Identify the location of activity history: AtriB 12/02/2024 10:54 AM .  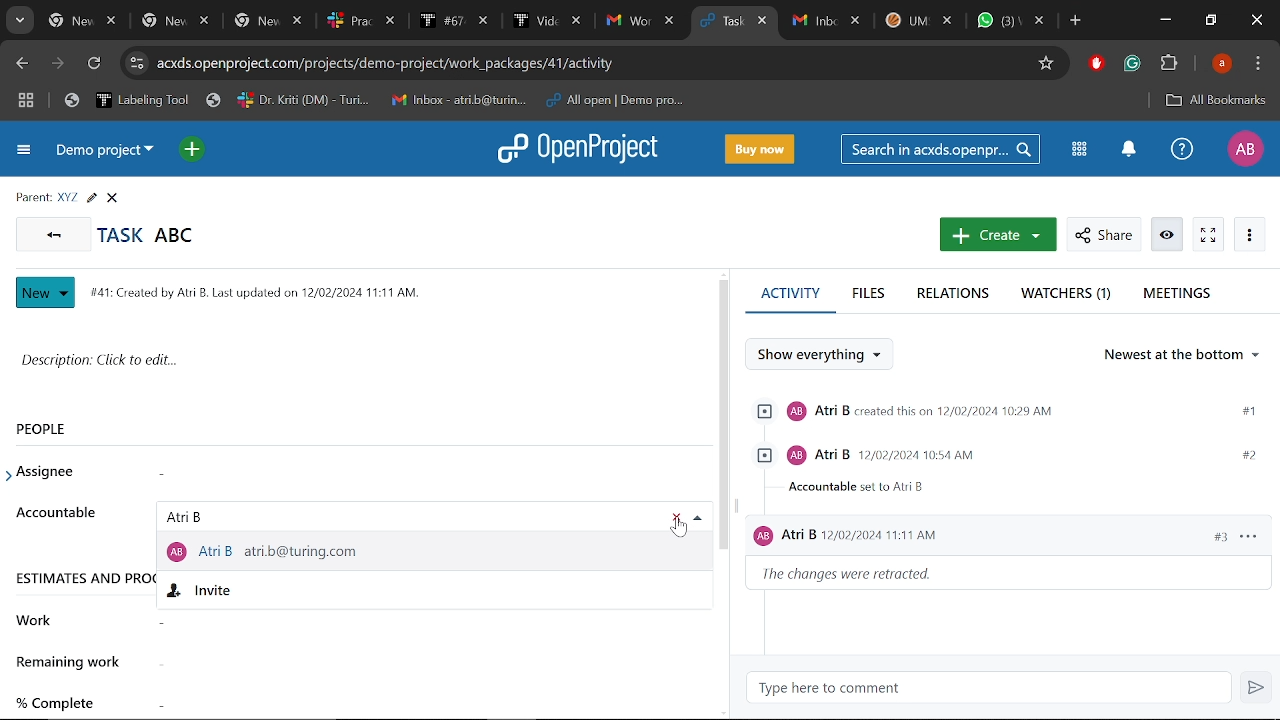
(1003, 471).